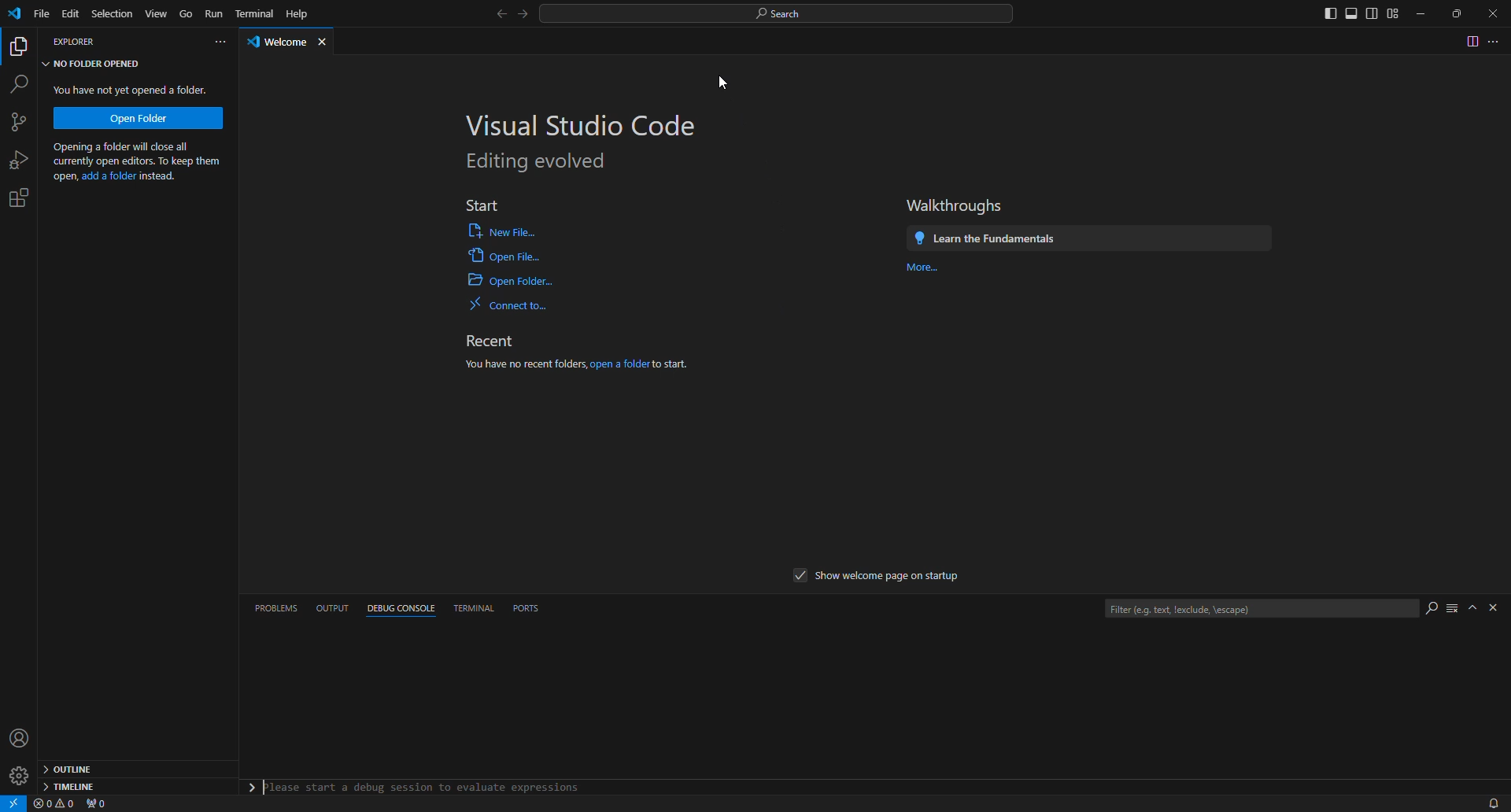 This screenshot has width=1511, height=812. What do you see at coordinates (18, 775) in the screenshot?
I see `settings` at bounding box center [18, 775].